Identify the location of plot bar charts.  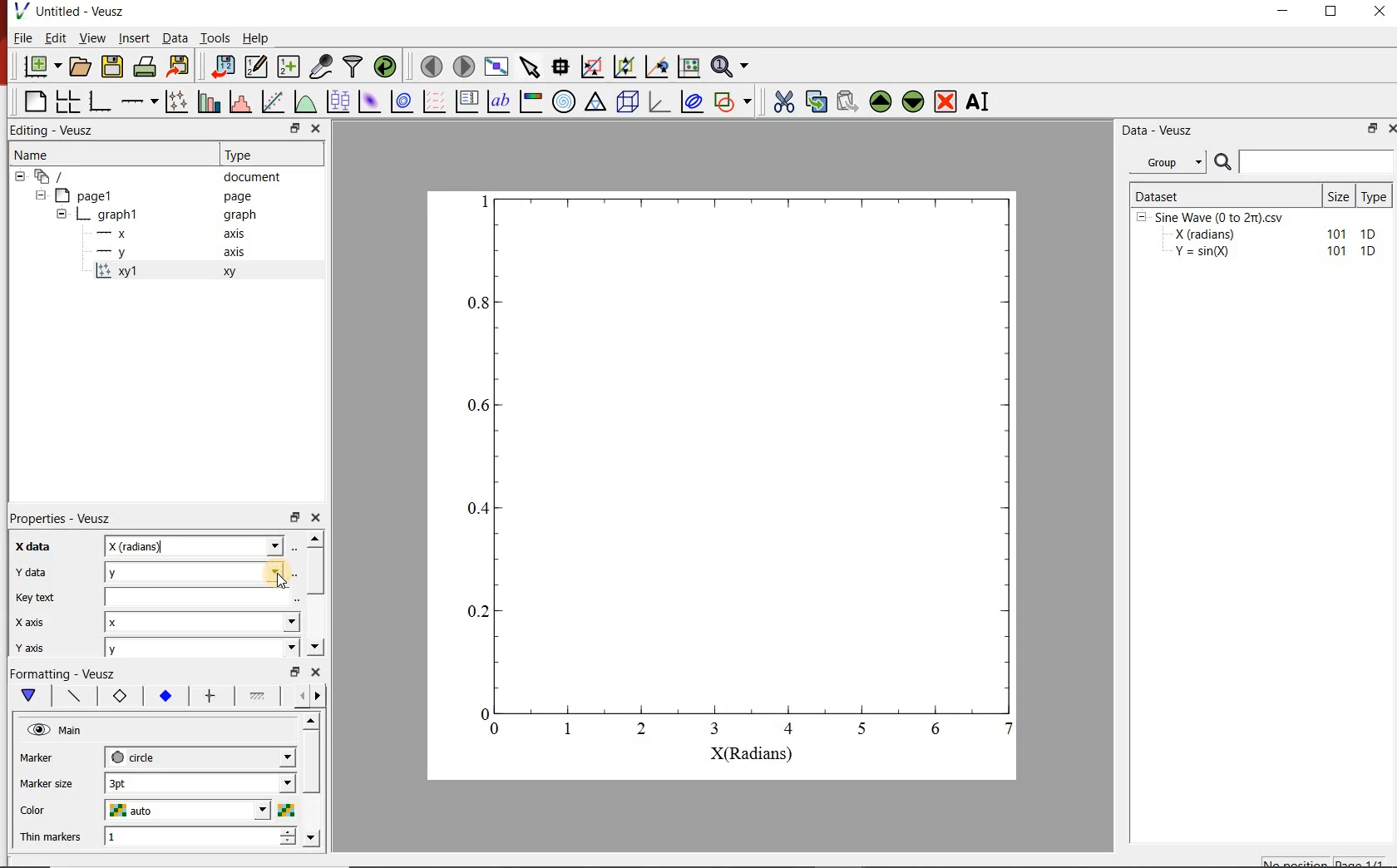
(211, 100).